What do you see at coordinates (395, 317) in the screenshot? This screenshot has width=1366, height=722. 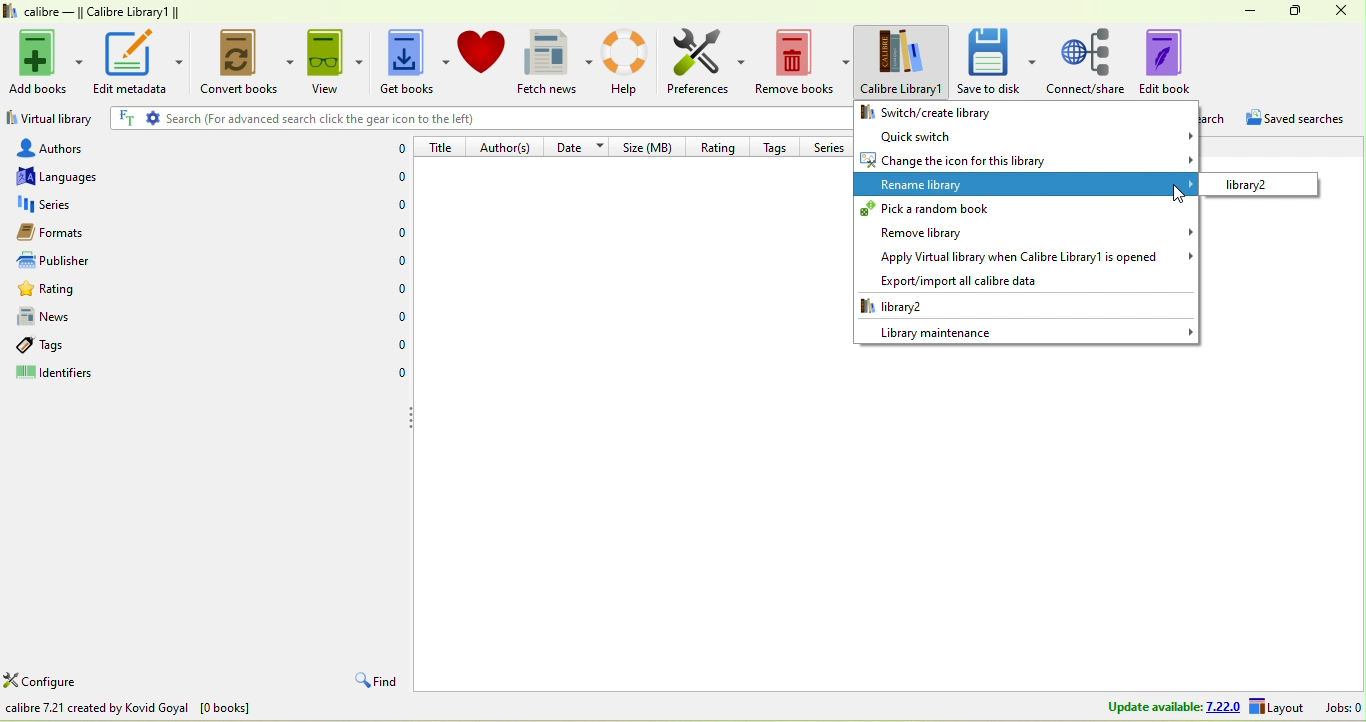 I see `0` at bounding box center [395, 317].